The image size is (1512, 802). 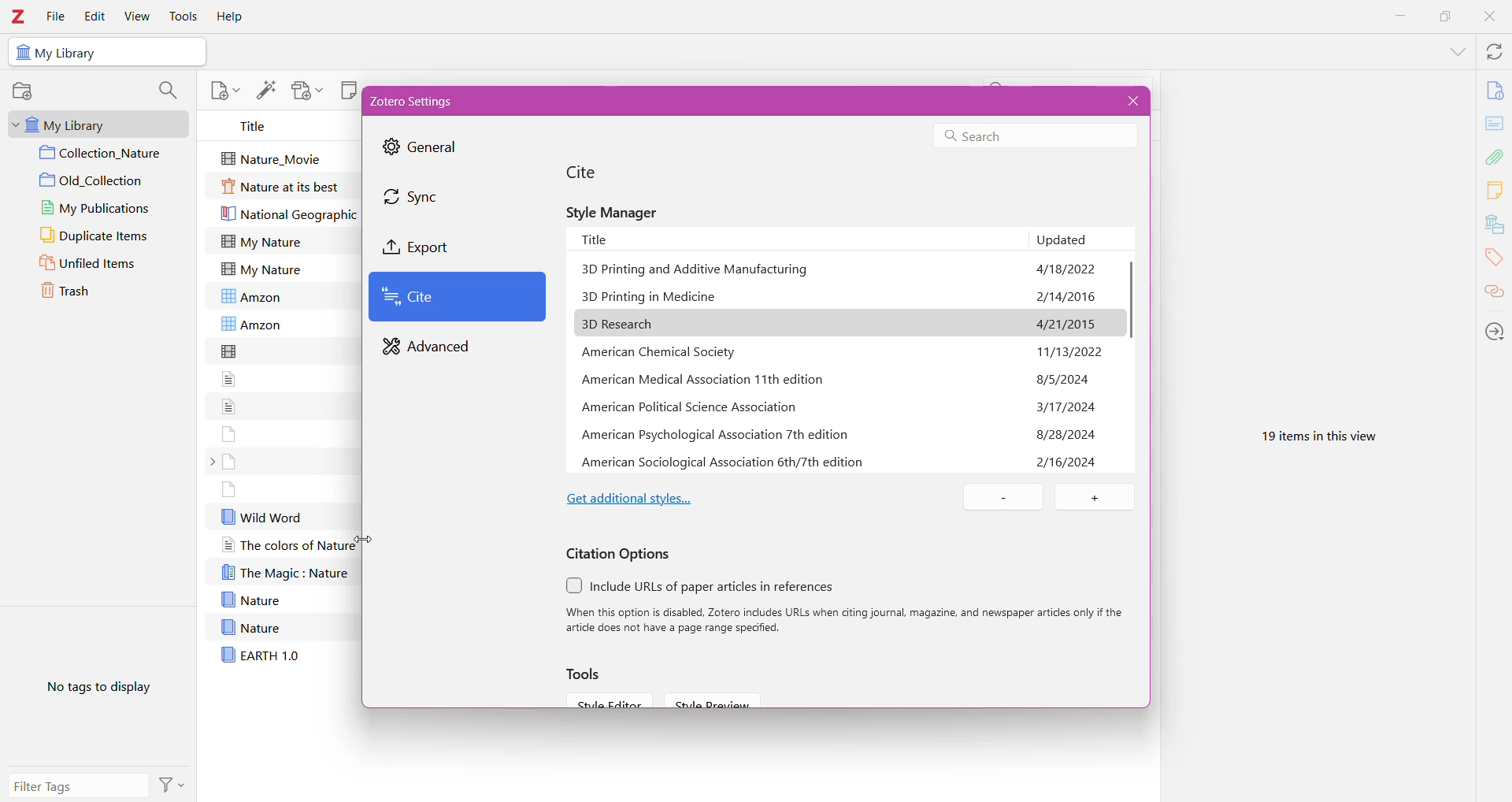 I want to click on Restore Down, so click(x=1443, y=17).